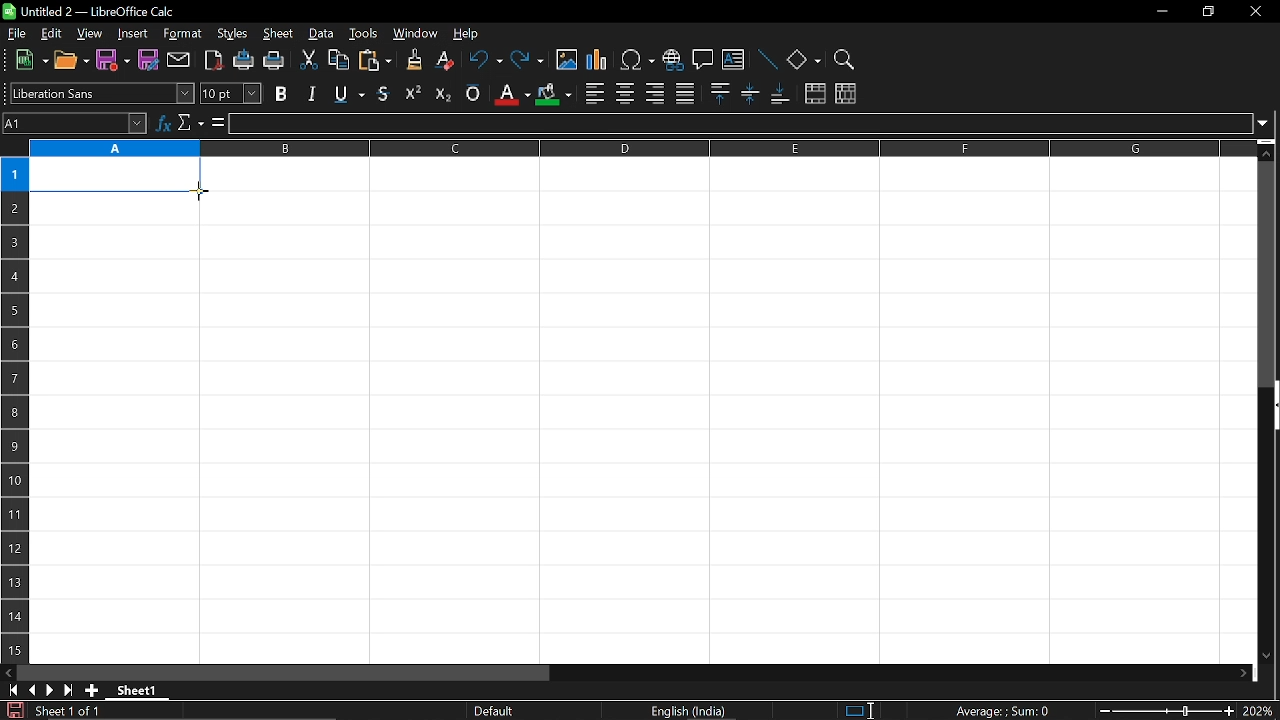 The height and width of the screenshot is (720, 1280). Describe the element at coordinates (190, 124) in the screenshot. I see `select function` at that location.